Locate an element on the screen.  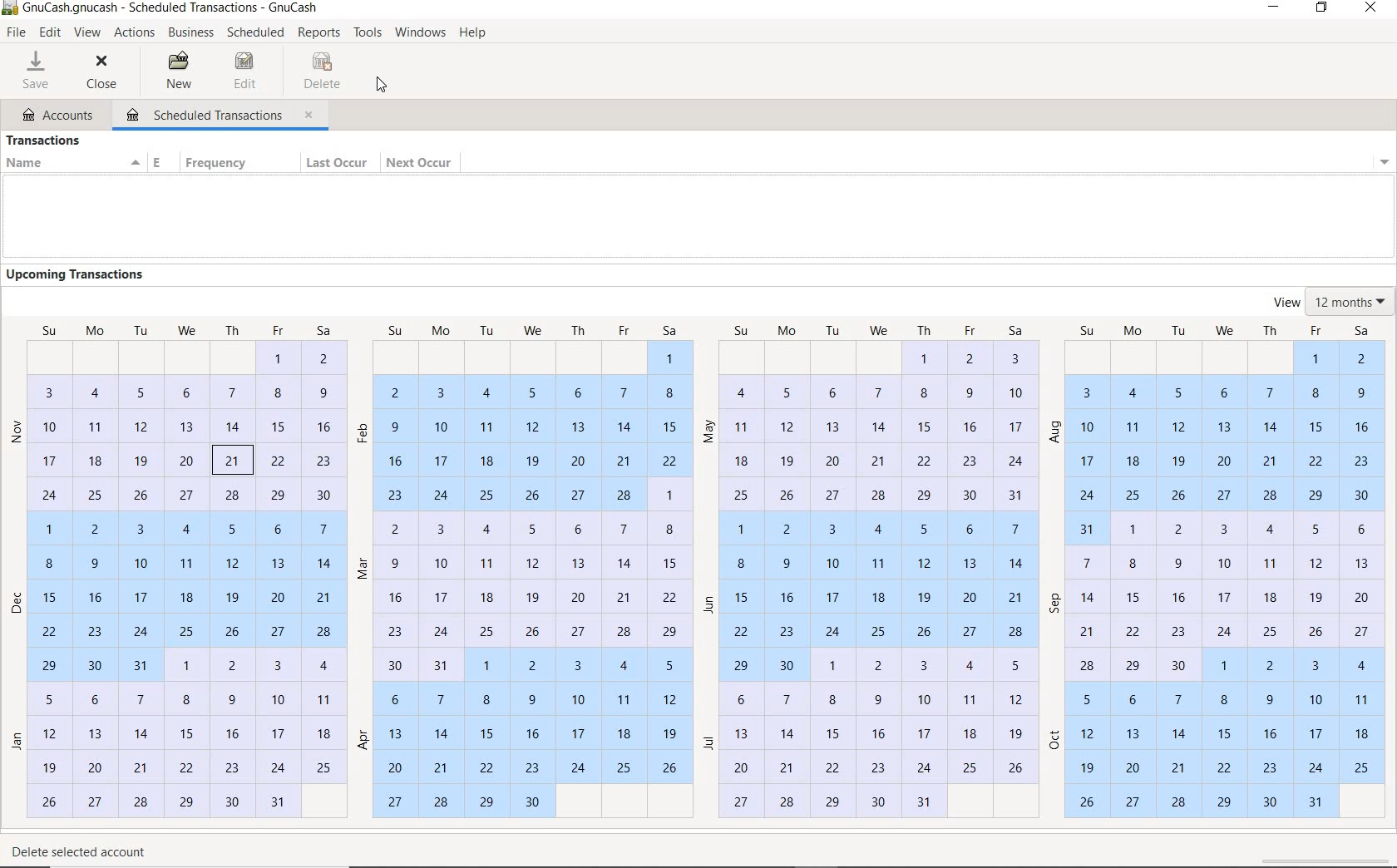
WINDOWS is located at coordinates (422, 33).